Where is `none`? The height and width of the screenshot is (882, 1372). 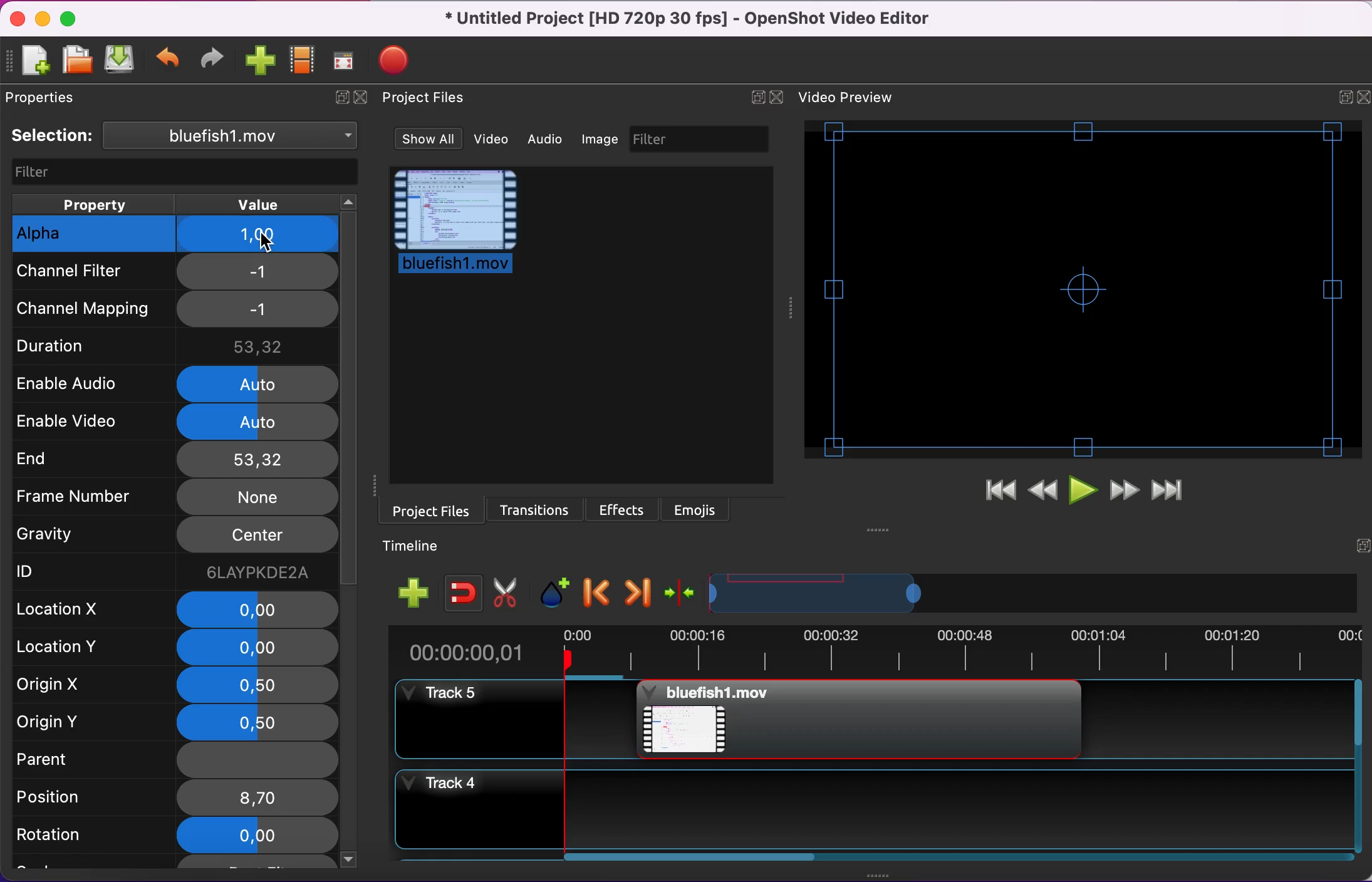 none is located at coordinates (256, 761).